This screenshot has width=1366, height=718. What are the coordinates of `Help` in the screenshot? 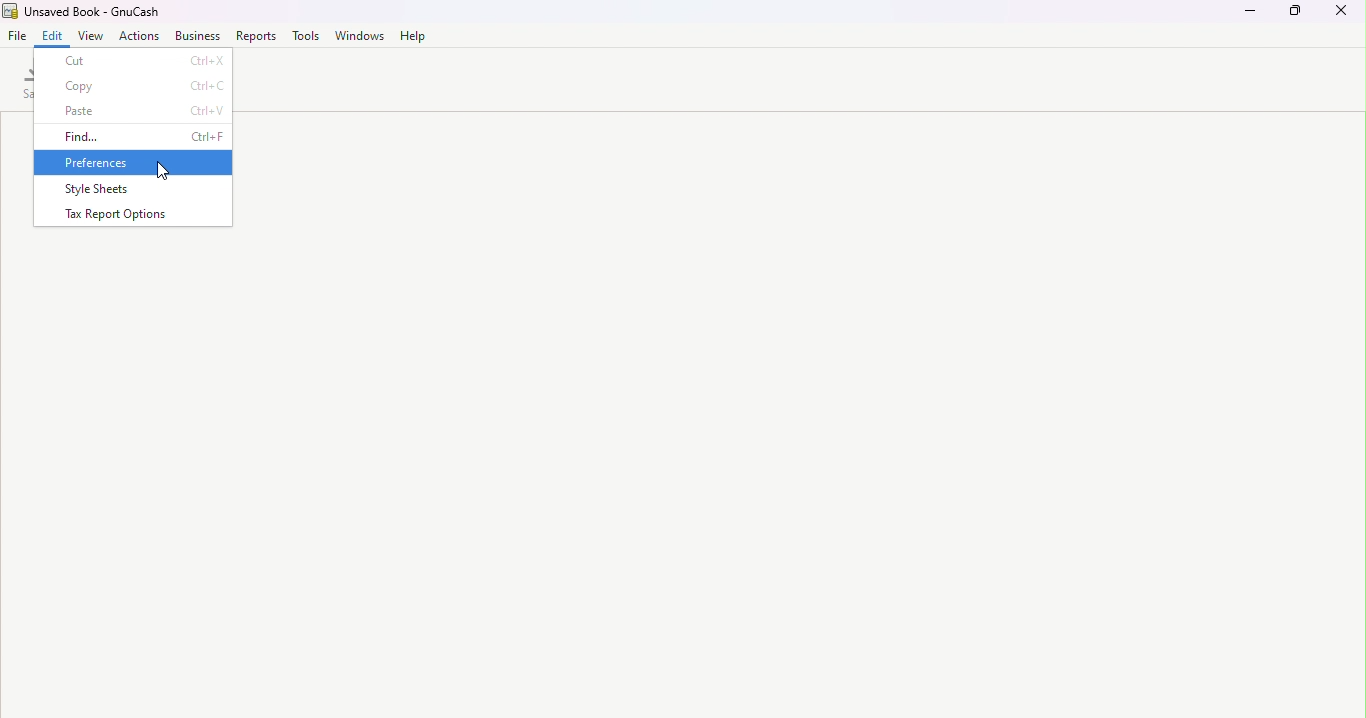 It's located at (409, 36).